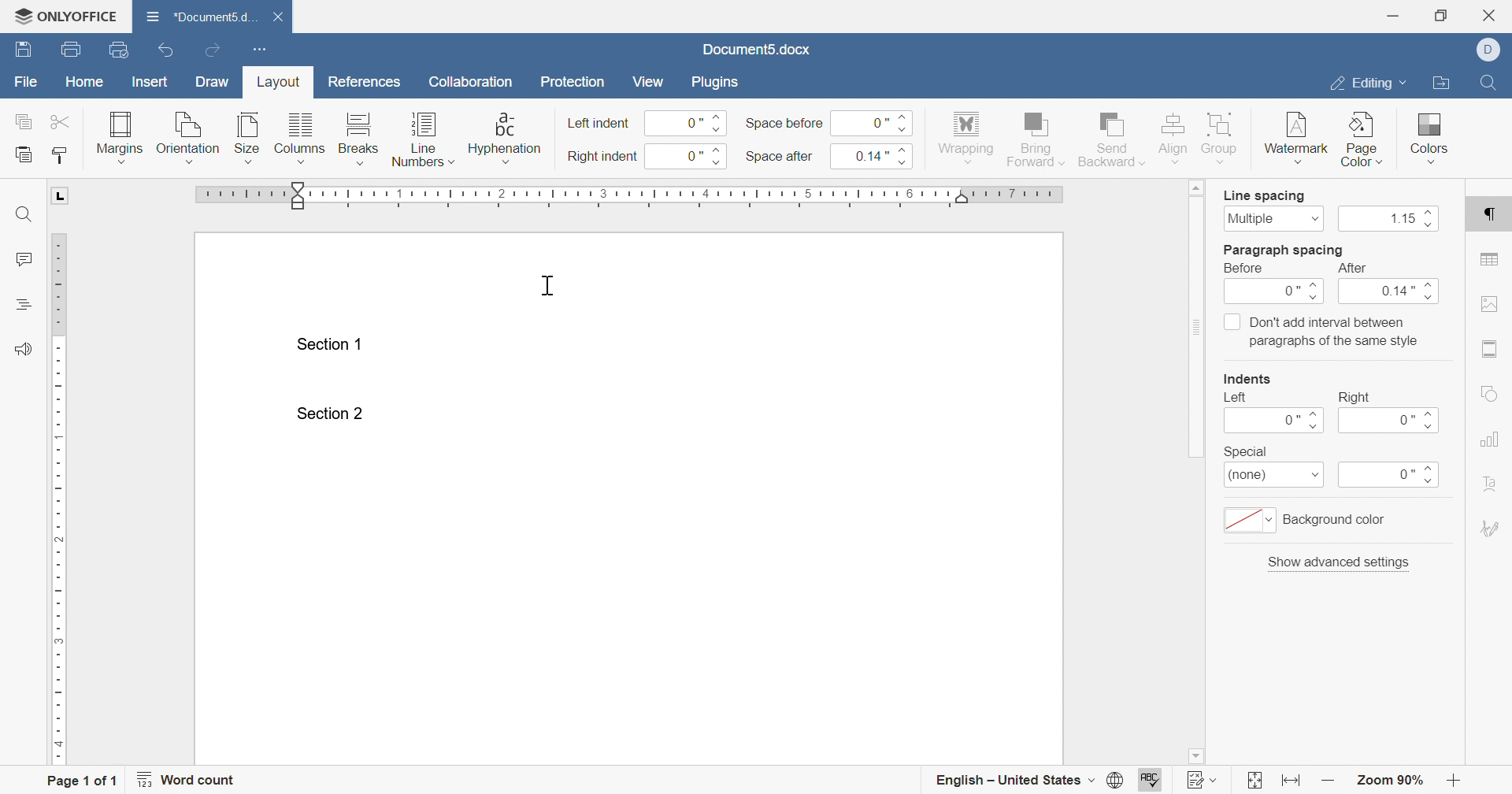 This screenshot has height=794, width=1512. What do you see at coordinates (359, 138) in the screenshot?
I see `breaks` at bounding box center [359, 138].